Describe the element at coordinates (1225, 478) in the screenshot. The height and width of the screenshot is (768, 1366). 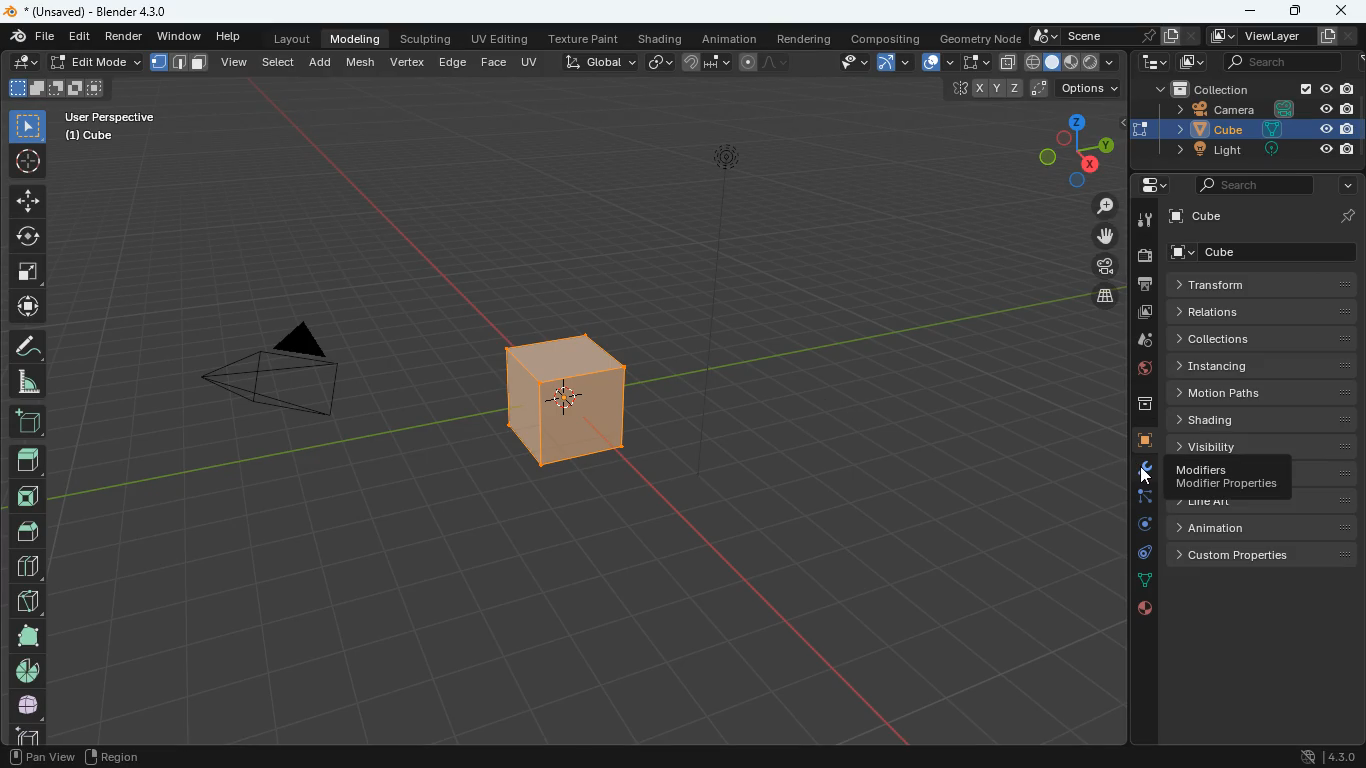
I see `modifiers` at that location.